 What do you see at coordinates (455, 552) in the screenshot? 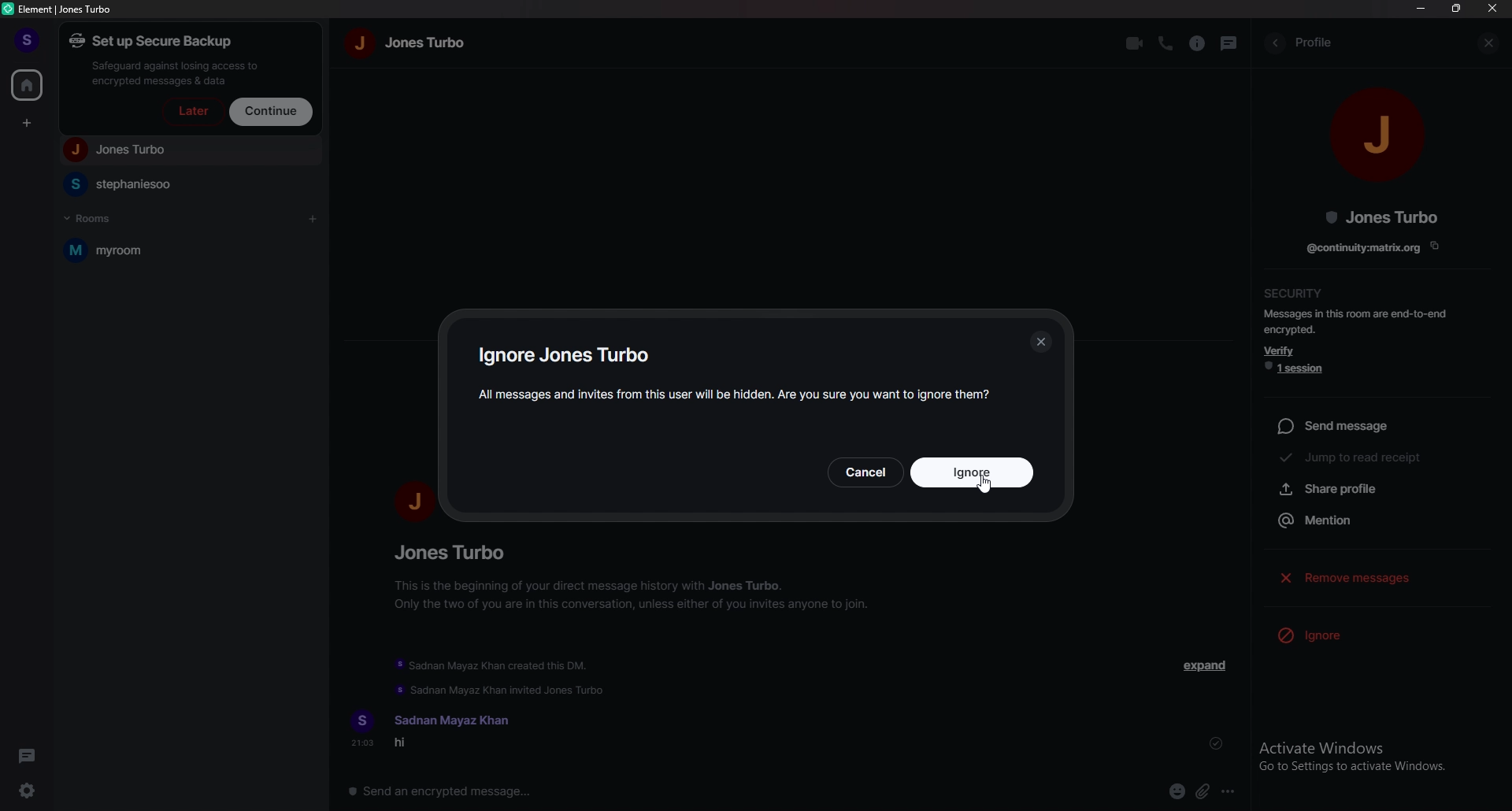
I see `people` at bounding box center [455, 552].